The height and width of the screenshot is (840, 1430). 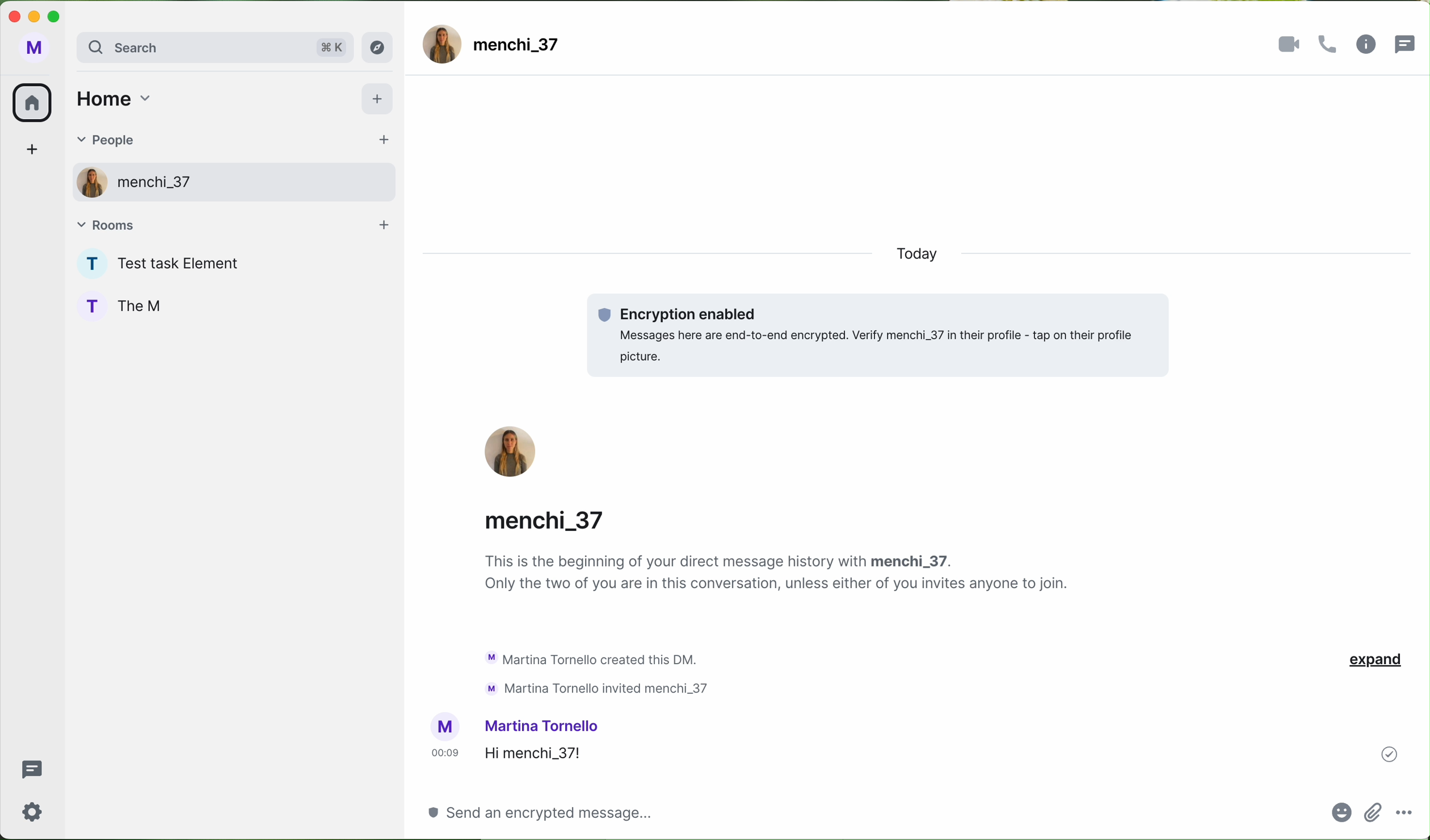 What do you see at coordinates (30, 770) in the screenshot?
I see `threads` at bounding box center [30, 770].